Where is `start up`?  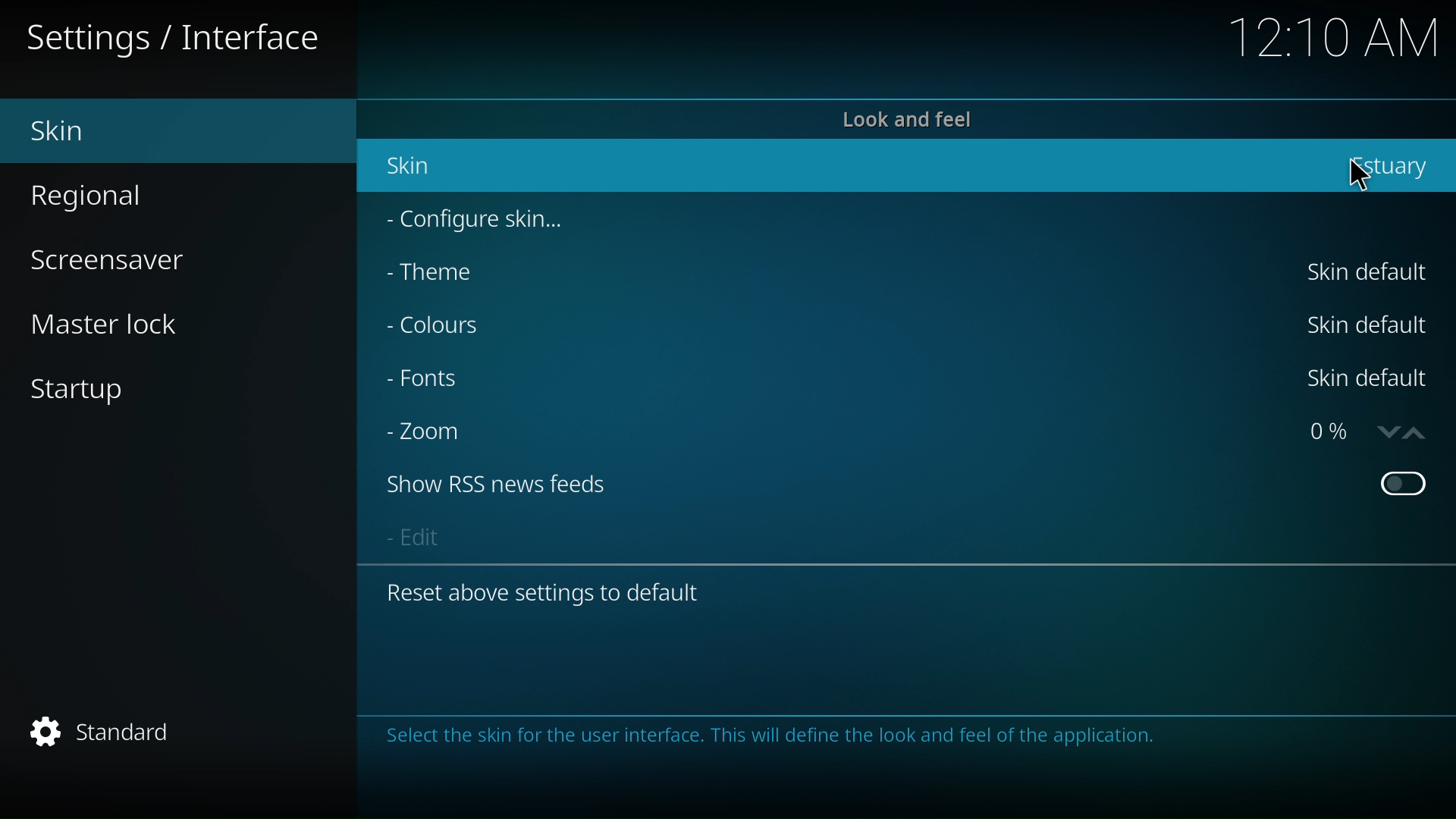
start up is located at coordinates (85, 395).